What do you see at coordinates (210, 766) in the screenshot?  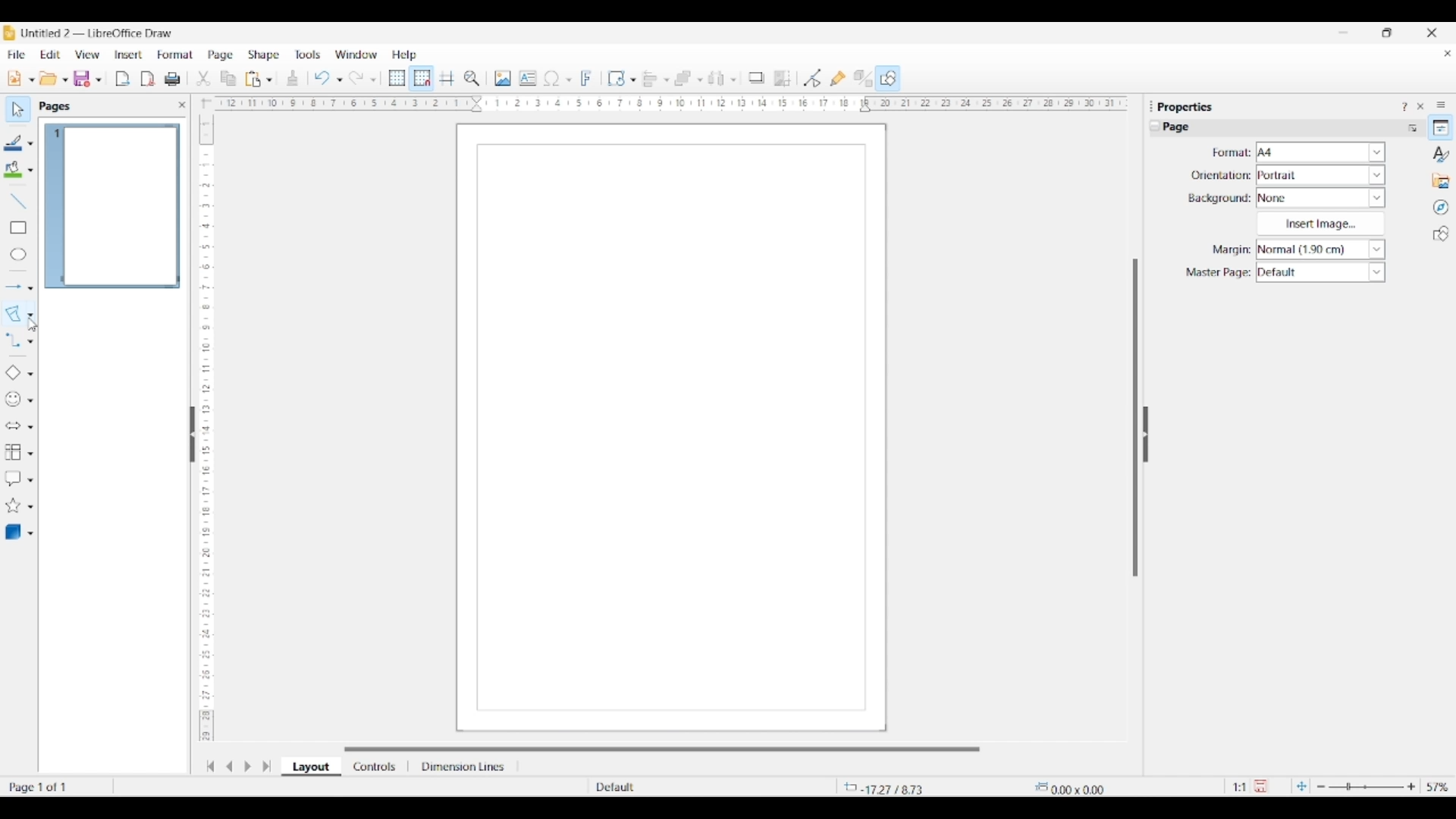 I see `Jump to first slide` at bounding box center [210, 766].